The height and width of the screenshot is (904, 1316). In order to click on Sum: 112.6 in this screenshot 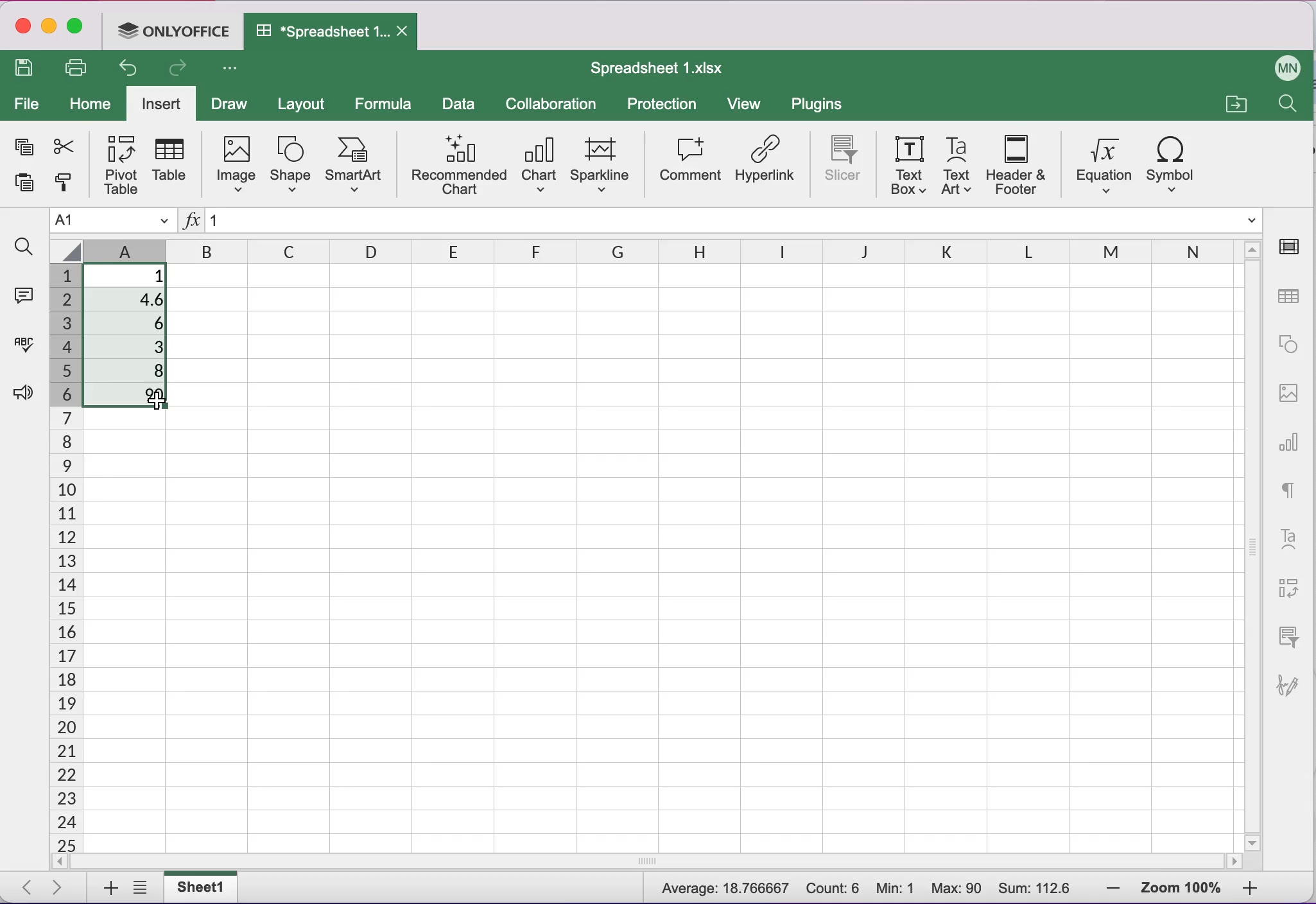, I will do `click(1034, 888)`.